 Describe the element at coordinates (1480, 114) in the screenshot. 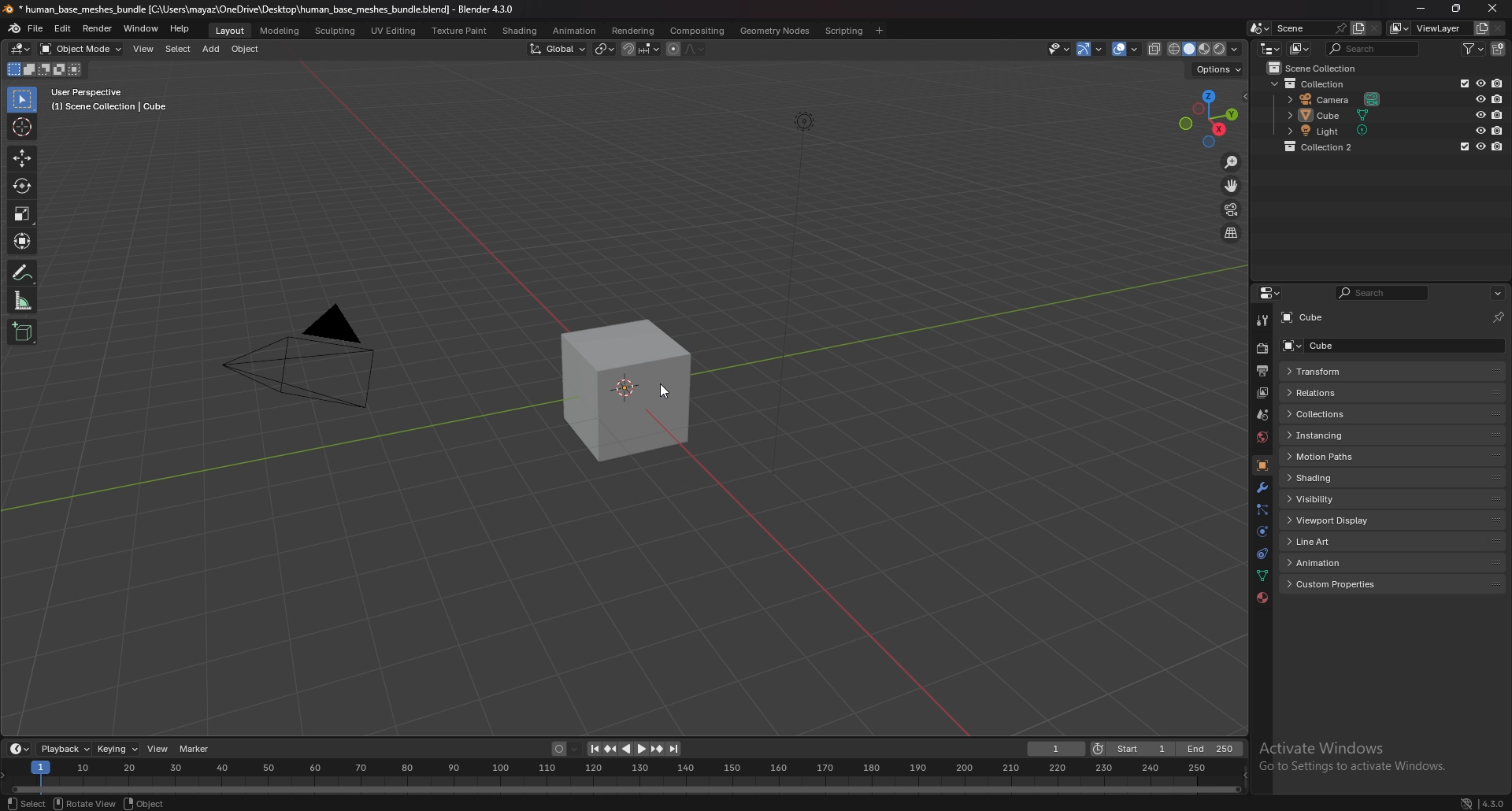

I see `hide in viewport` at that location.